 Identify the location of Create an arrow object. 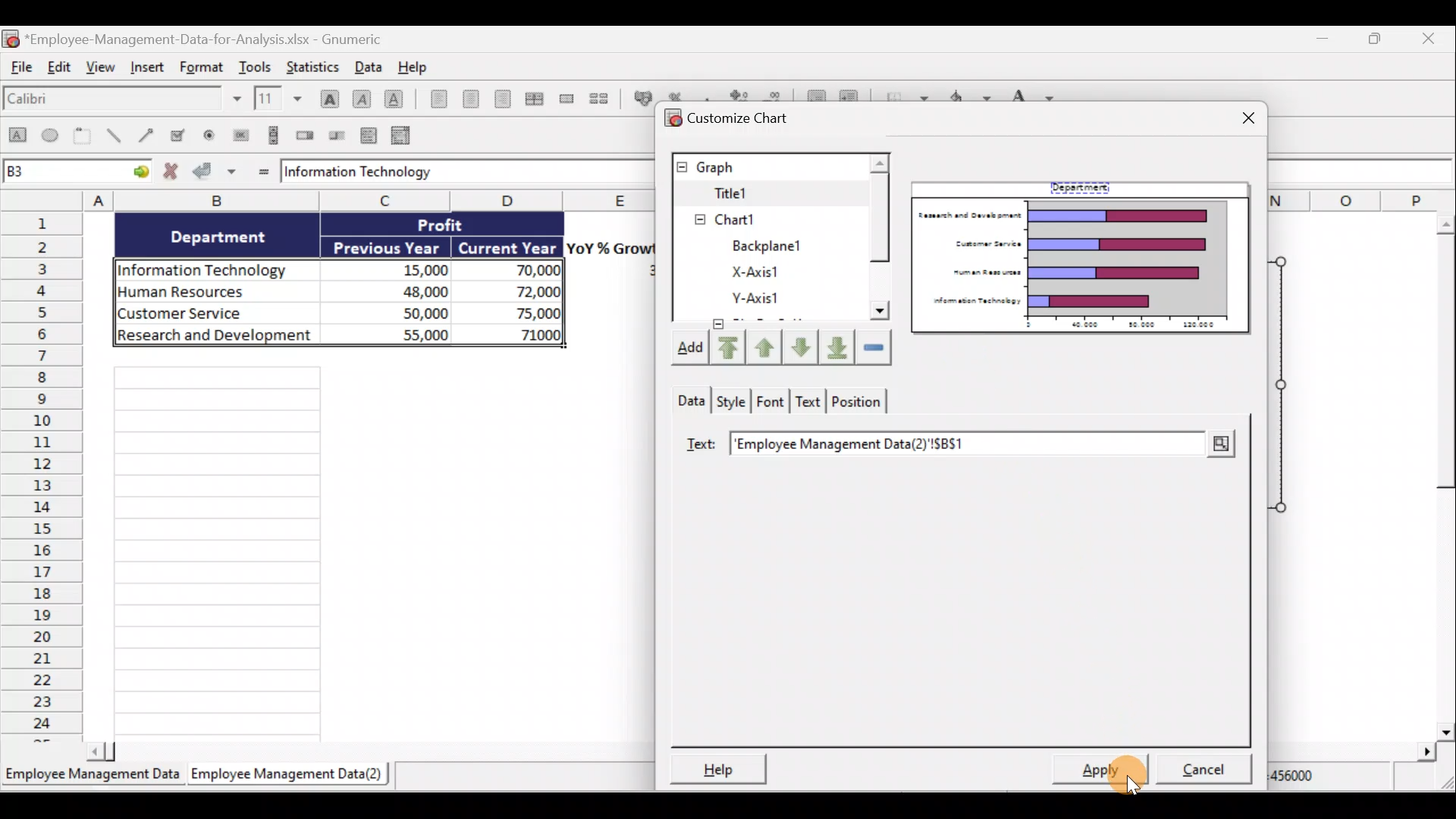
(149, 137).